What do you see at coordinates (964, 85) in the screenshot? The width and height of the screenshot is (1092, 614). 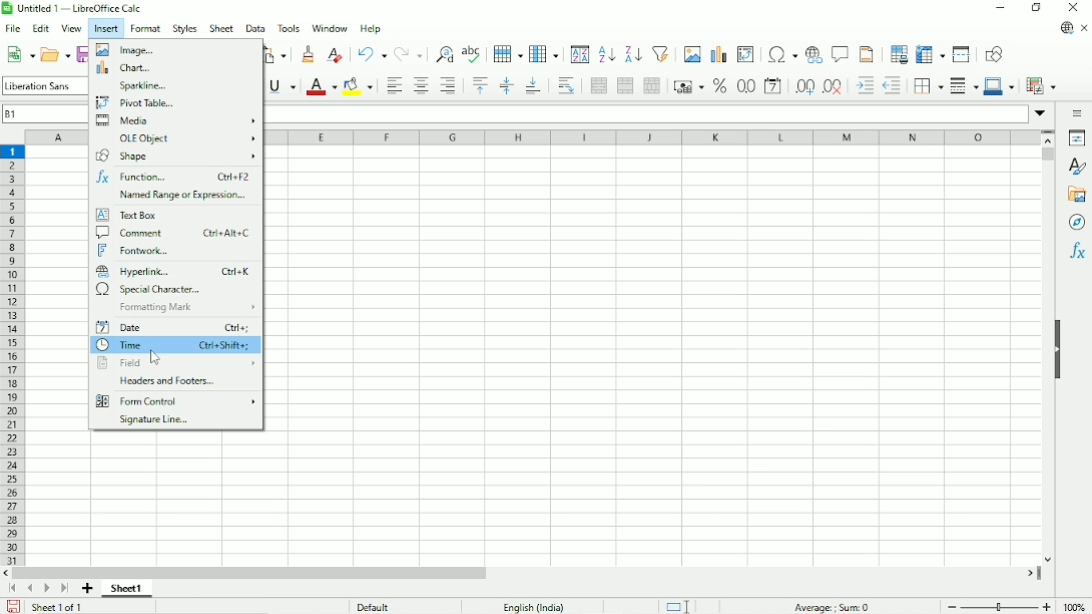 I see `Border style` at bounding box center [964, 85].